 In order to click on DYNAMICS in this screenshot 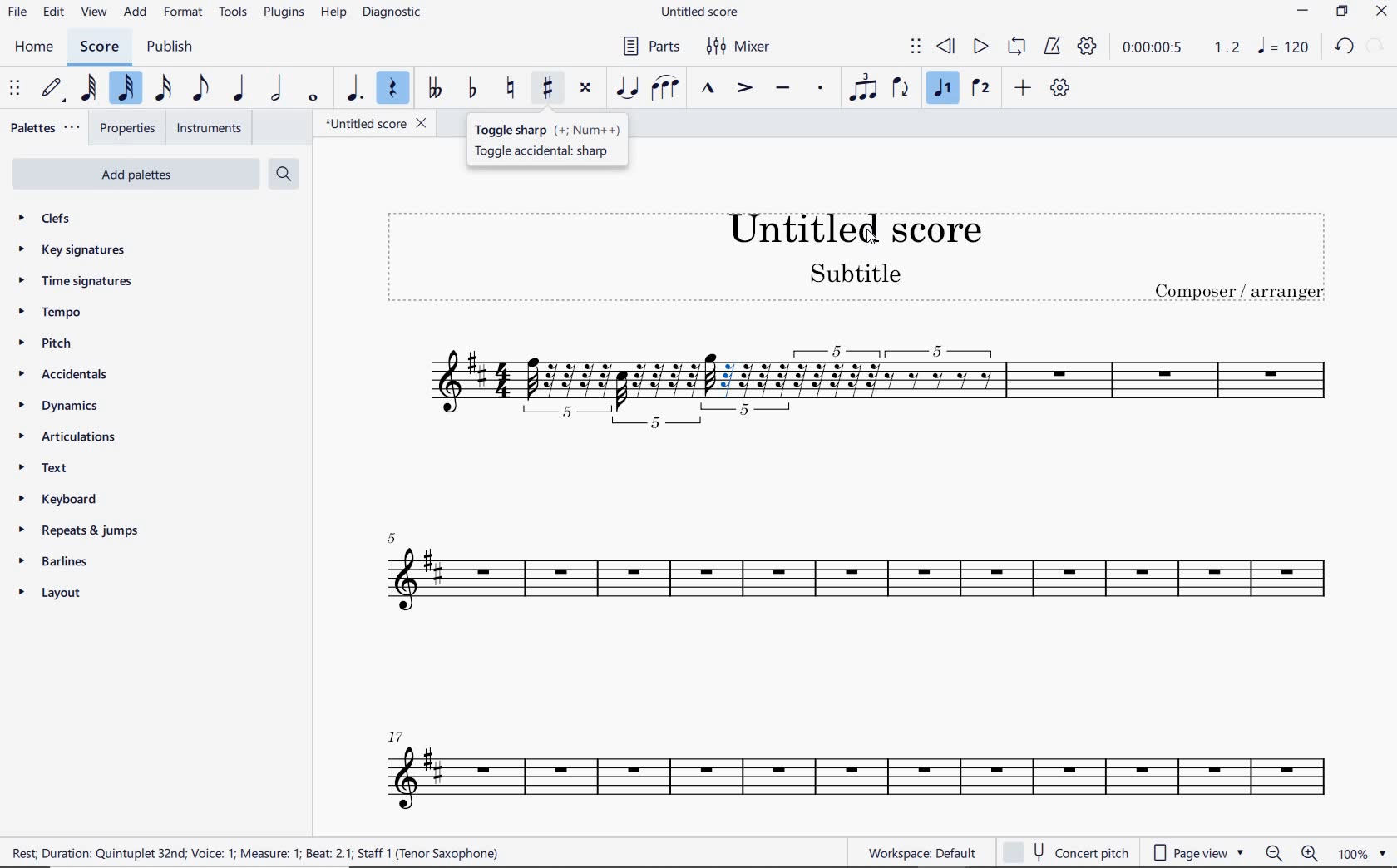, I will do `click(62, 410)`.